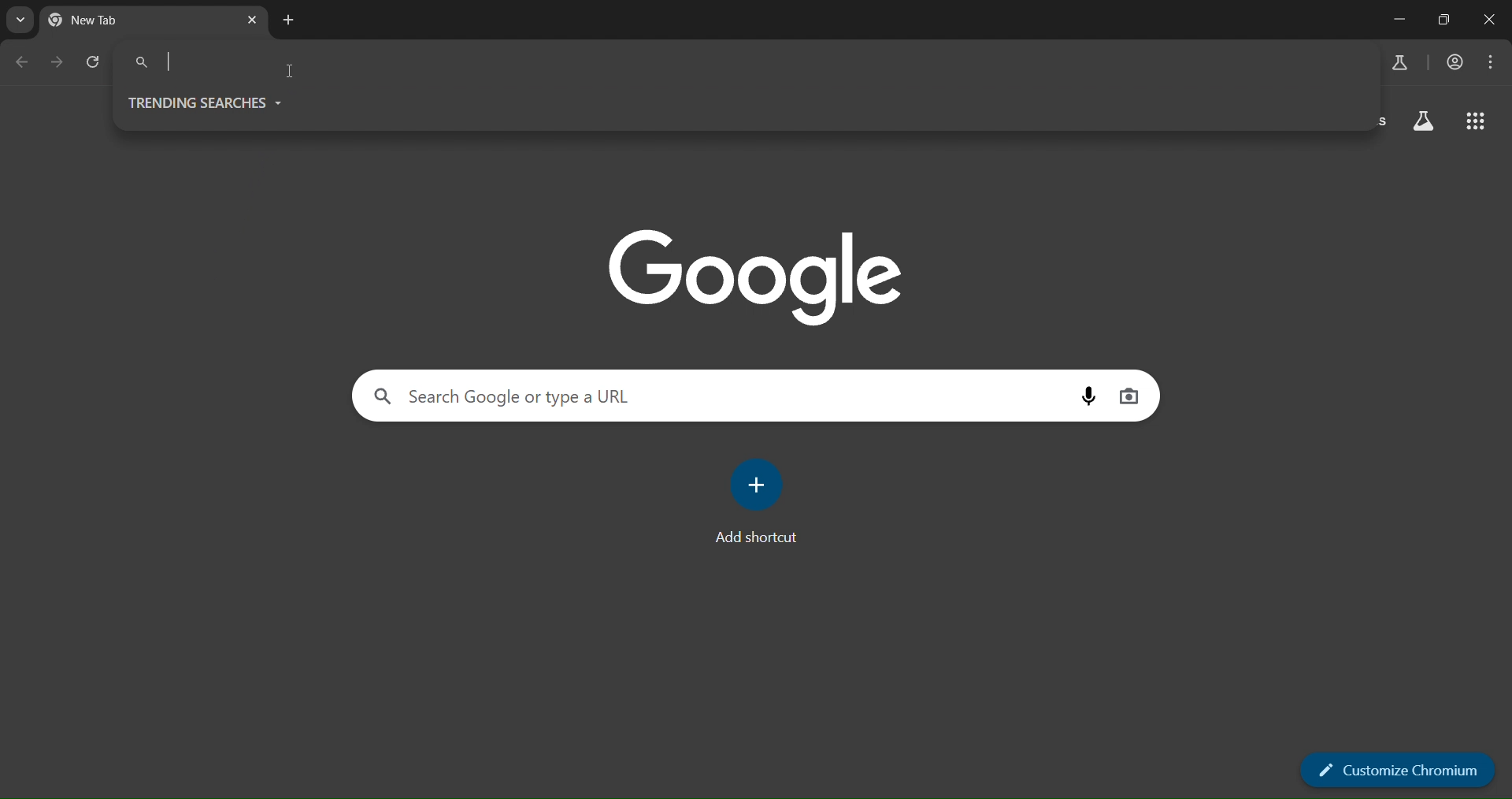  Describe the element at coordinates (765, 504) in the screenshot. I see `add shortcut` at that location.